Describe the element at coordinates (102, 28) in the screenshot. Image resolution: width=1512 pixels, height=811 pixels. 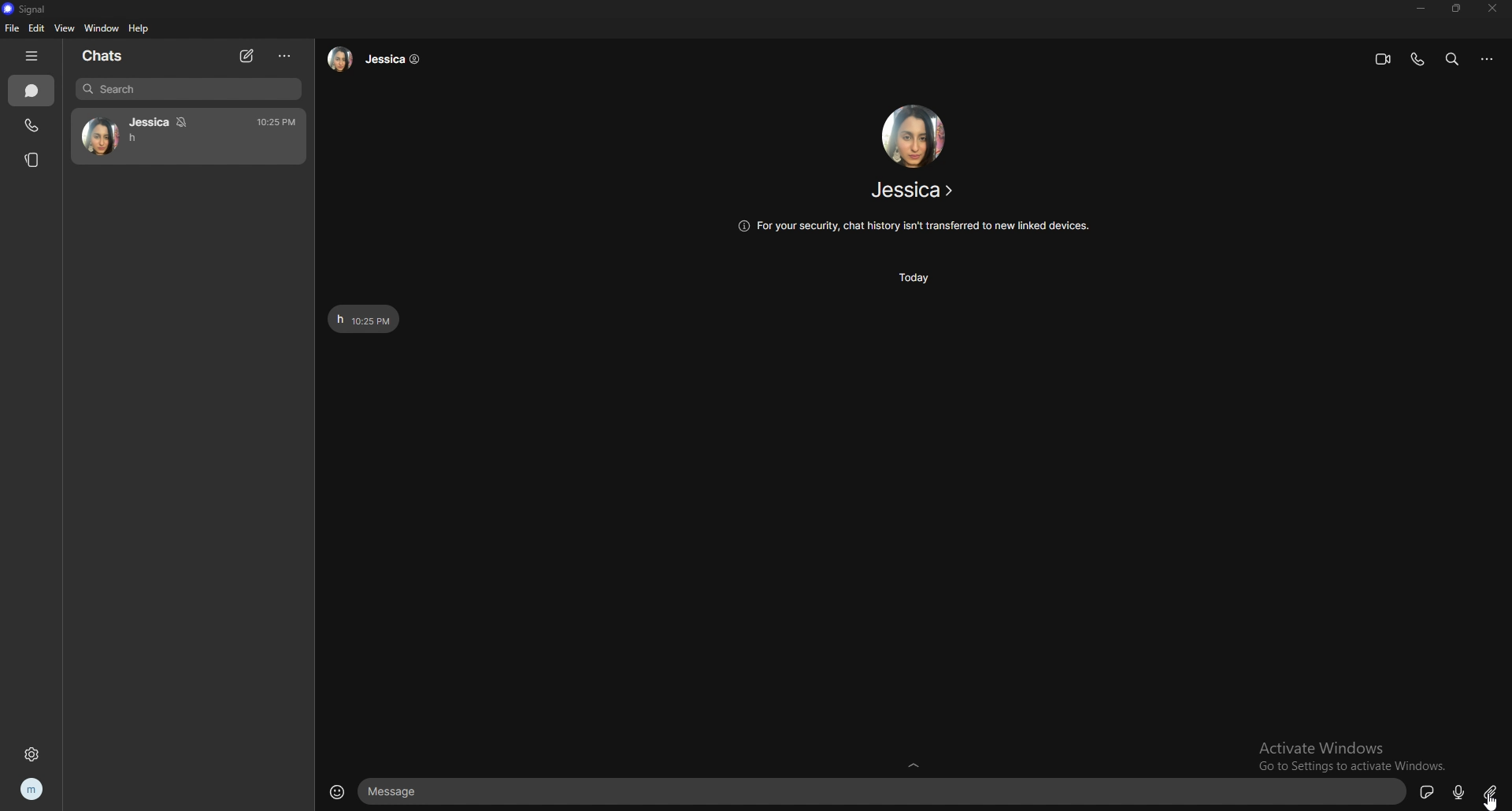
I see `window` at that location.